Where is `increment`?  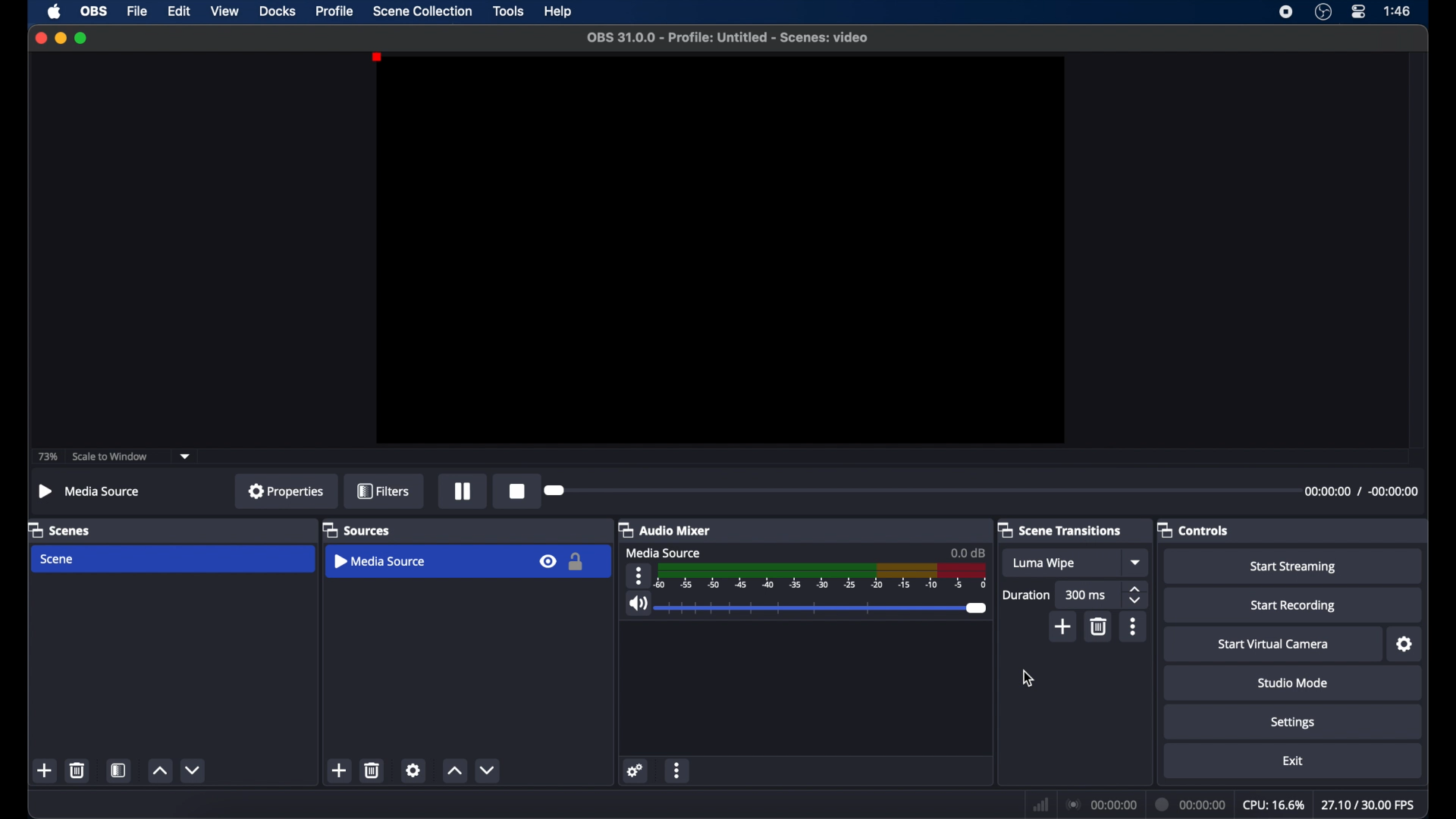
increment is located at coordinates (453, 770).